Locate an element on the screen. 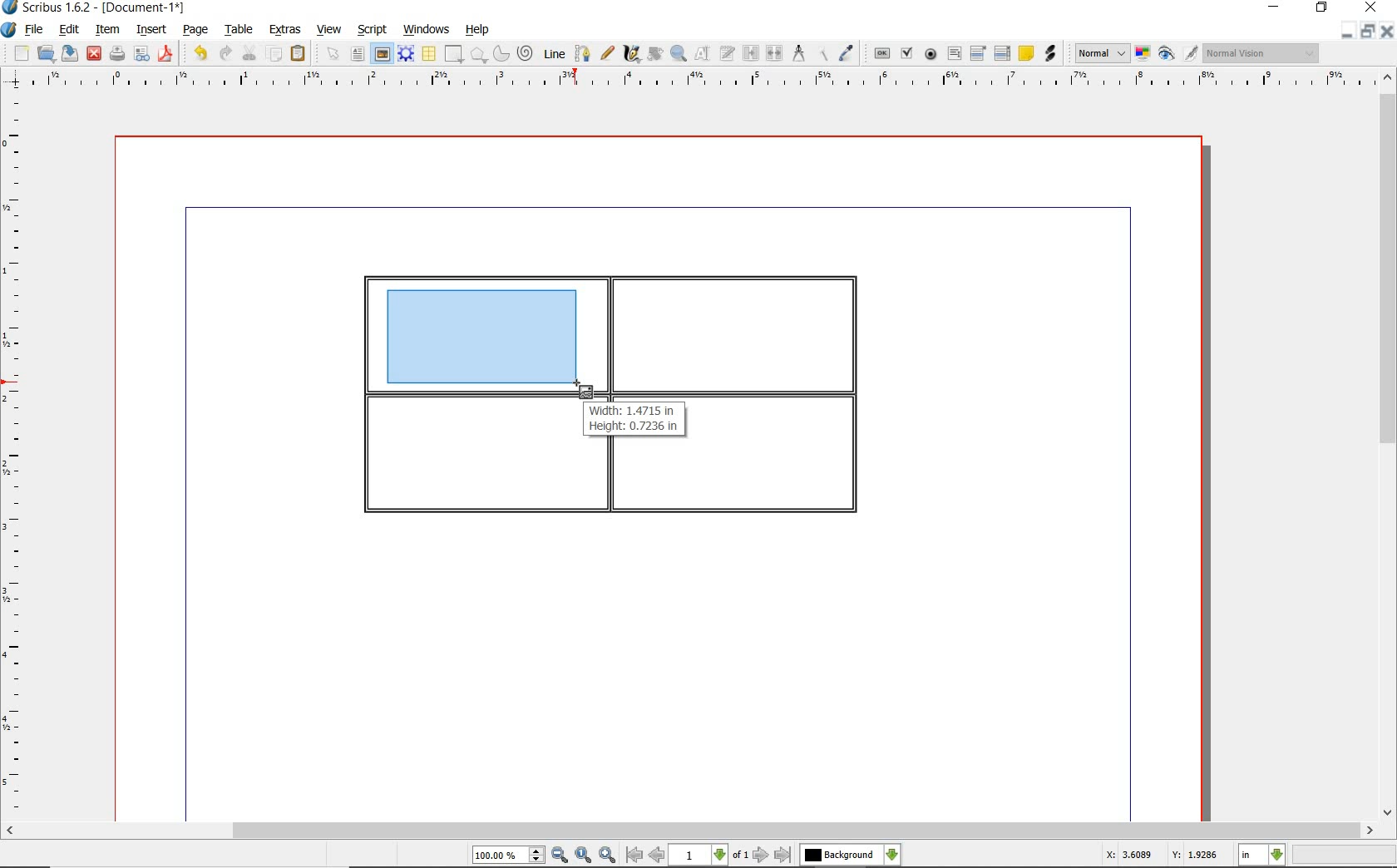 The height and width of the screenshot is (868, 1397). edit contents of frame is located at coordinates (703, 54).